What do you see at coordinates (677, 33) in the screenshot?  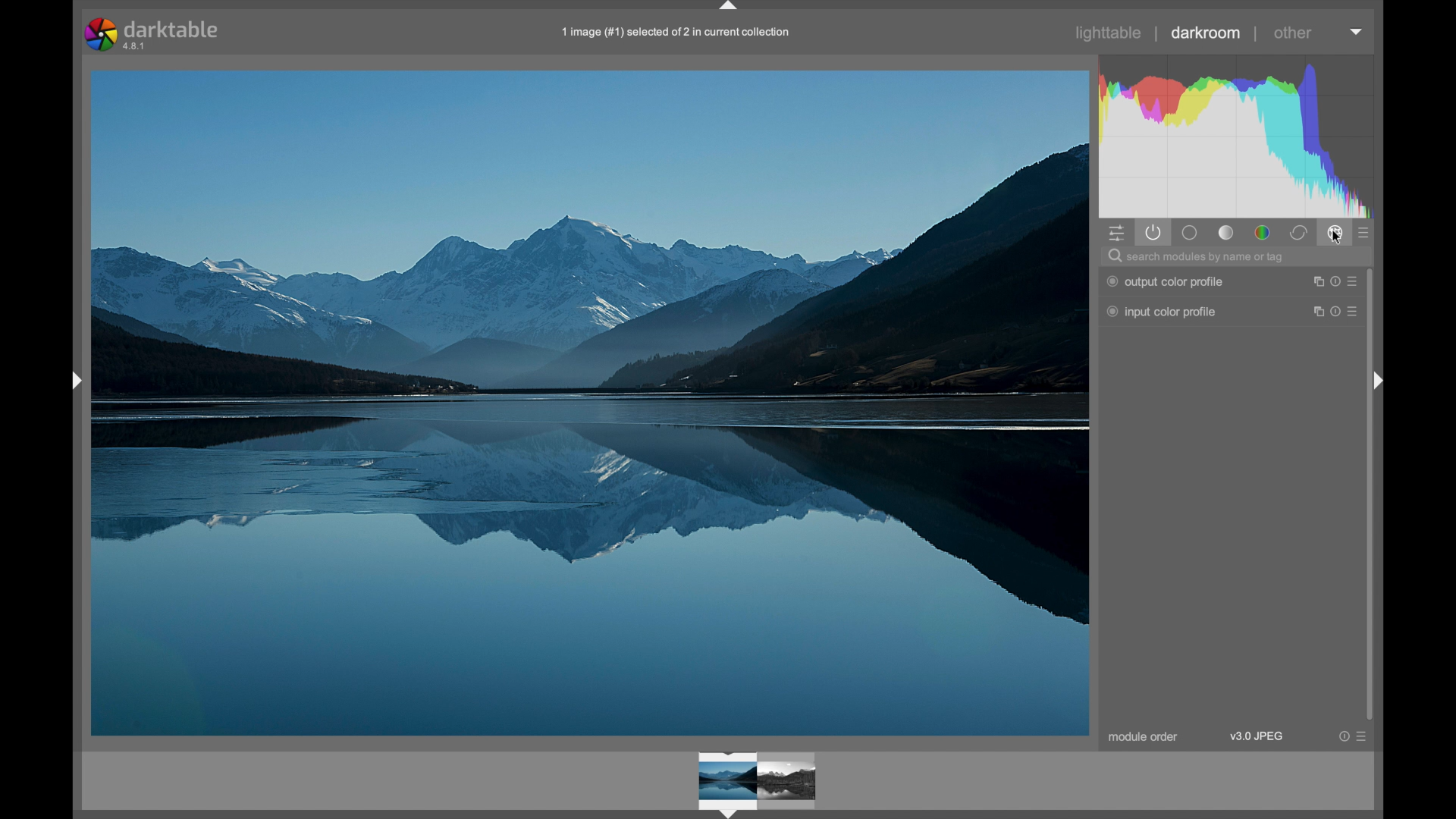 I see `filename` at bounding box center [677, 33].